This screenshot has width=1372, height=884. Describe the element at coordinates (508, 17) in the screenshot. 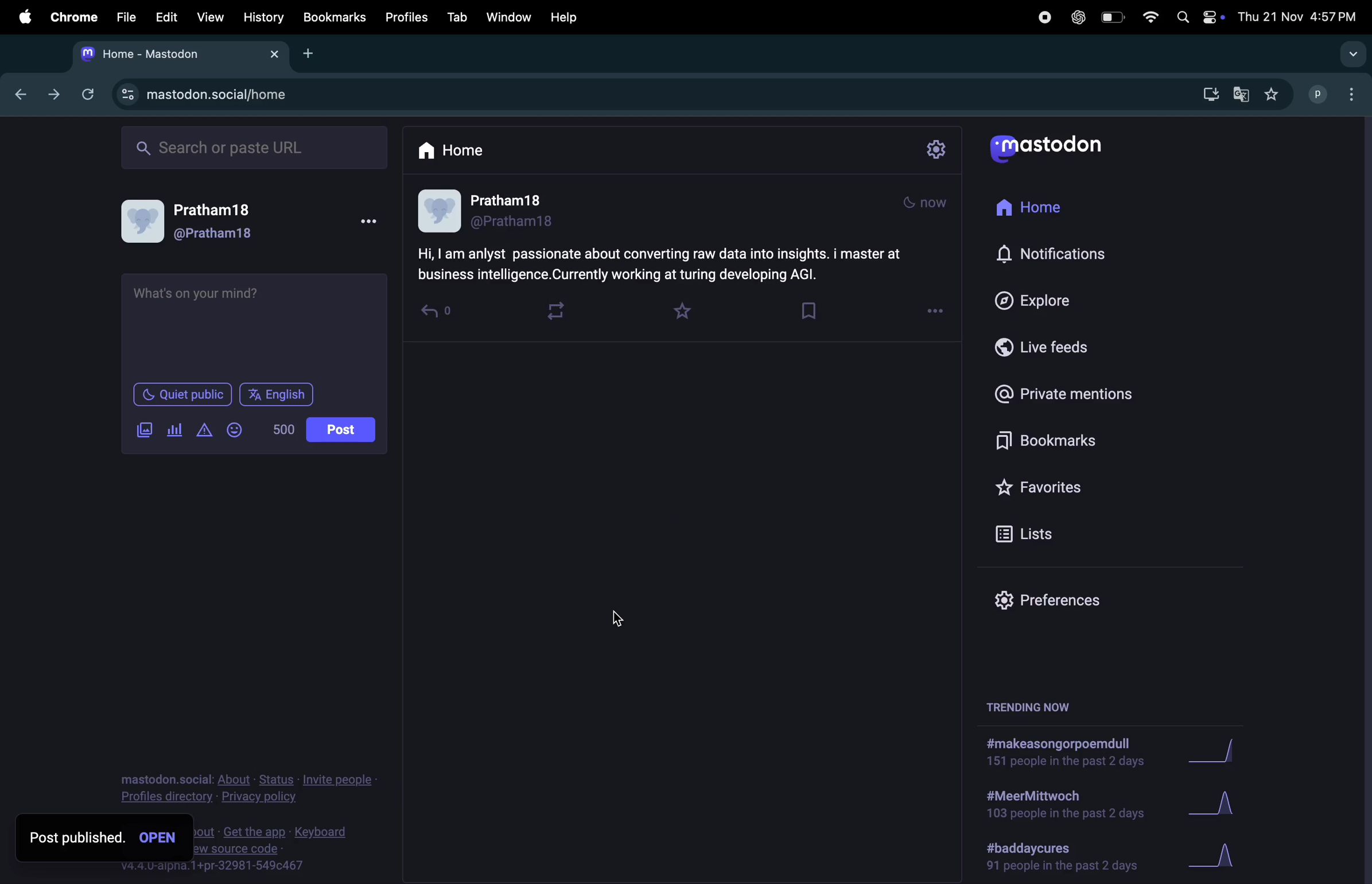

I see `window` at that location.